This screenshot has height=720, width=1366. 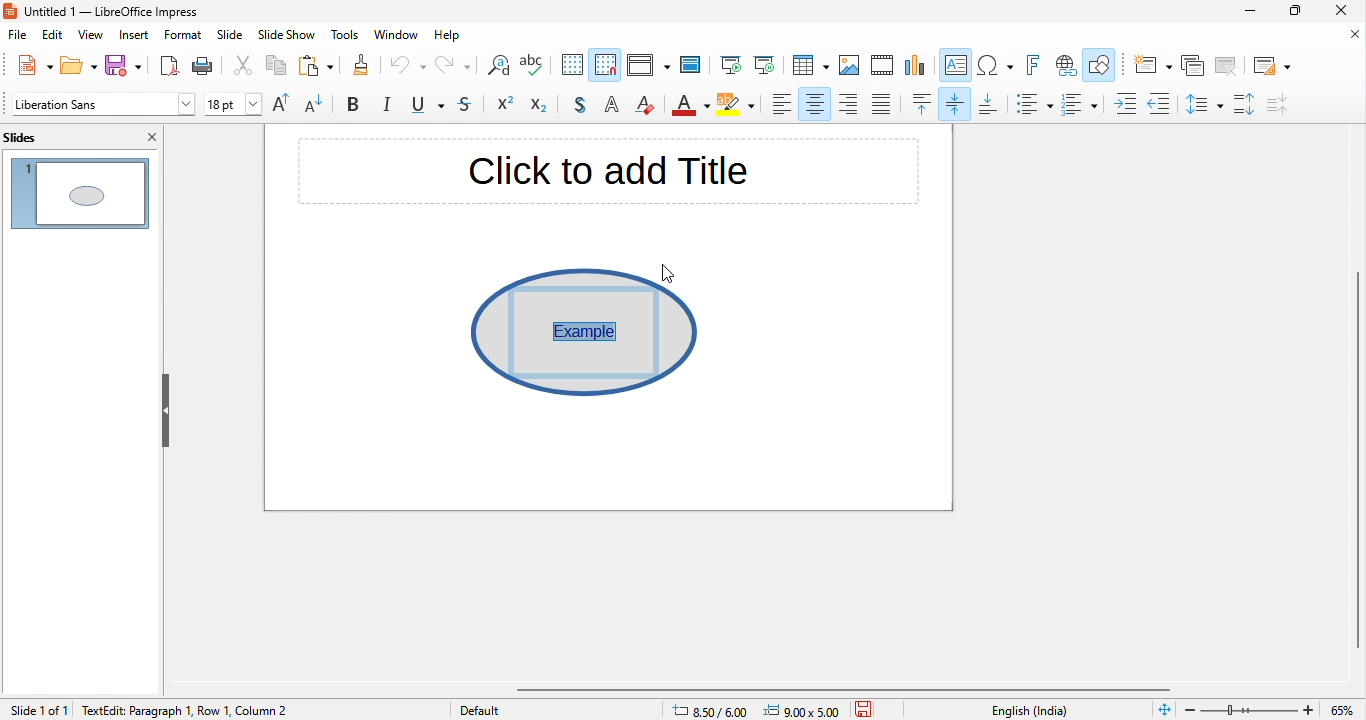 What do you see at coordinates (573, 66) in the screenshot?
I see `display to grid` at bounding box center [573, 66].